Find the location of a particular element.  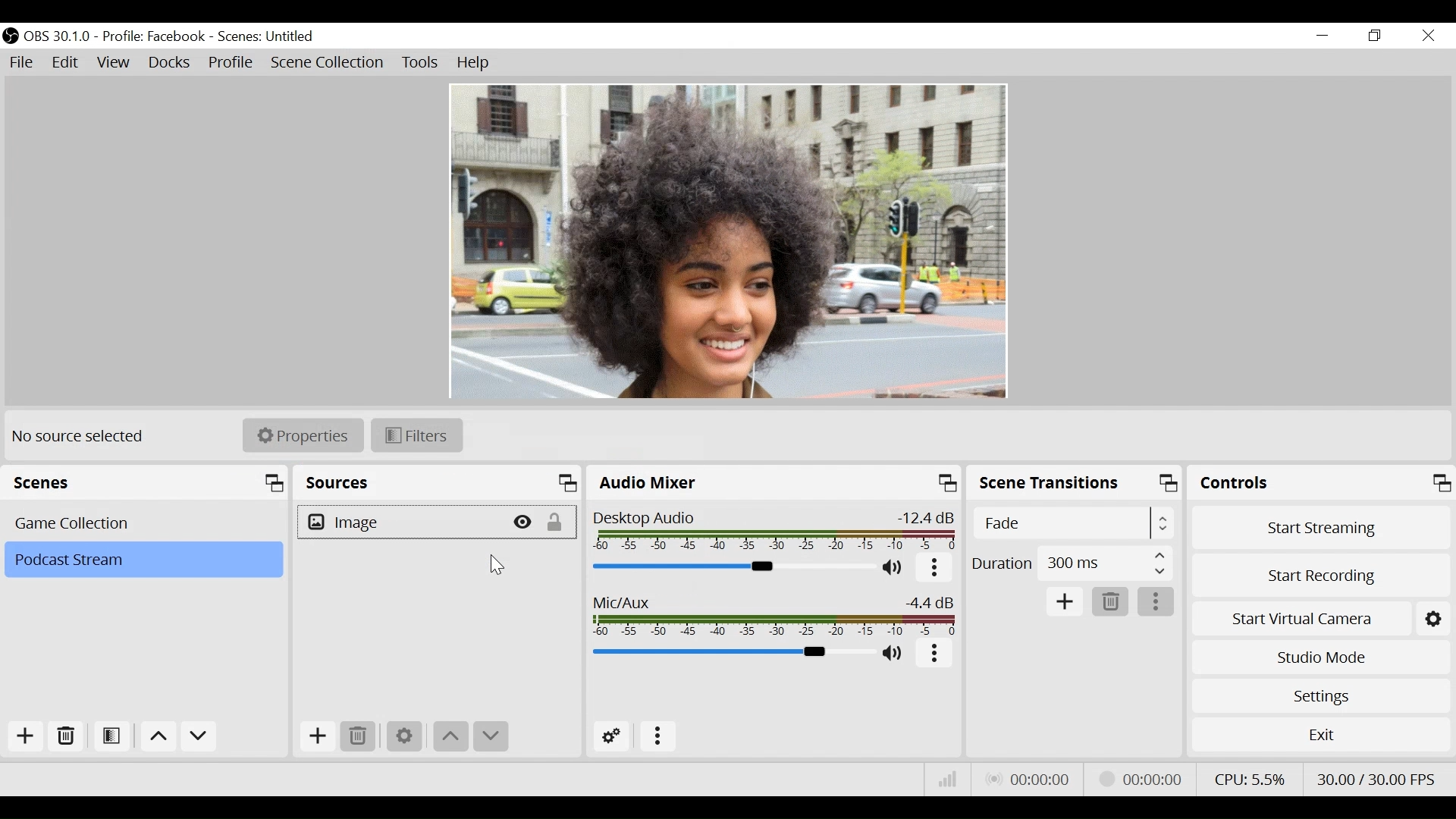

Remove is located at coordinates (1112, 602).